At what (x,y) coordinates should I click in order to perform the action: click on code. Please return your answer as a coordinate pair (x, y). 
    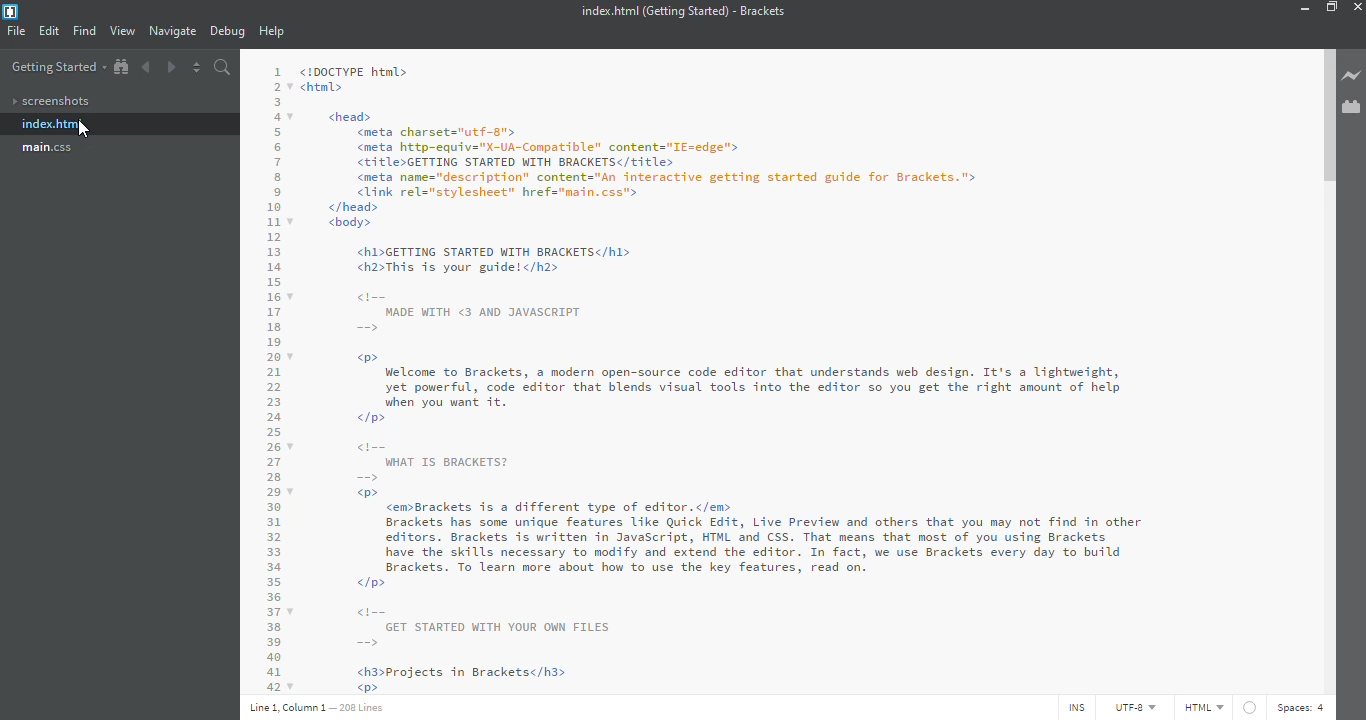
    Looking at the image, I should click on (782, 374).